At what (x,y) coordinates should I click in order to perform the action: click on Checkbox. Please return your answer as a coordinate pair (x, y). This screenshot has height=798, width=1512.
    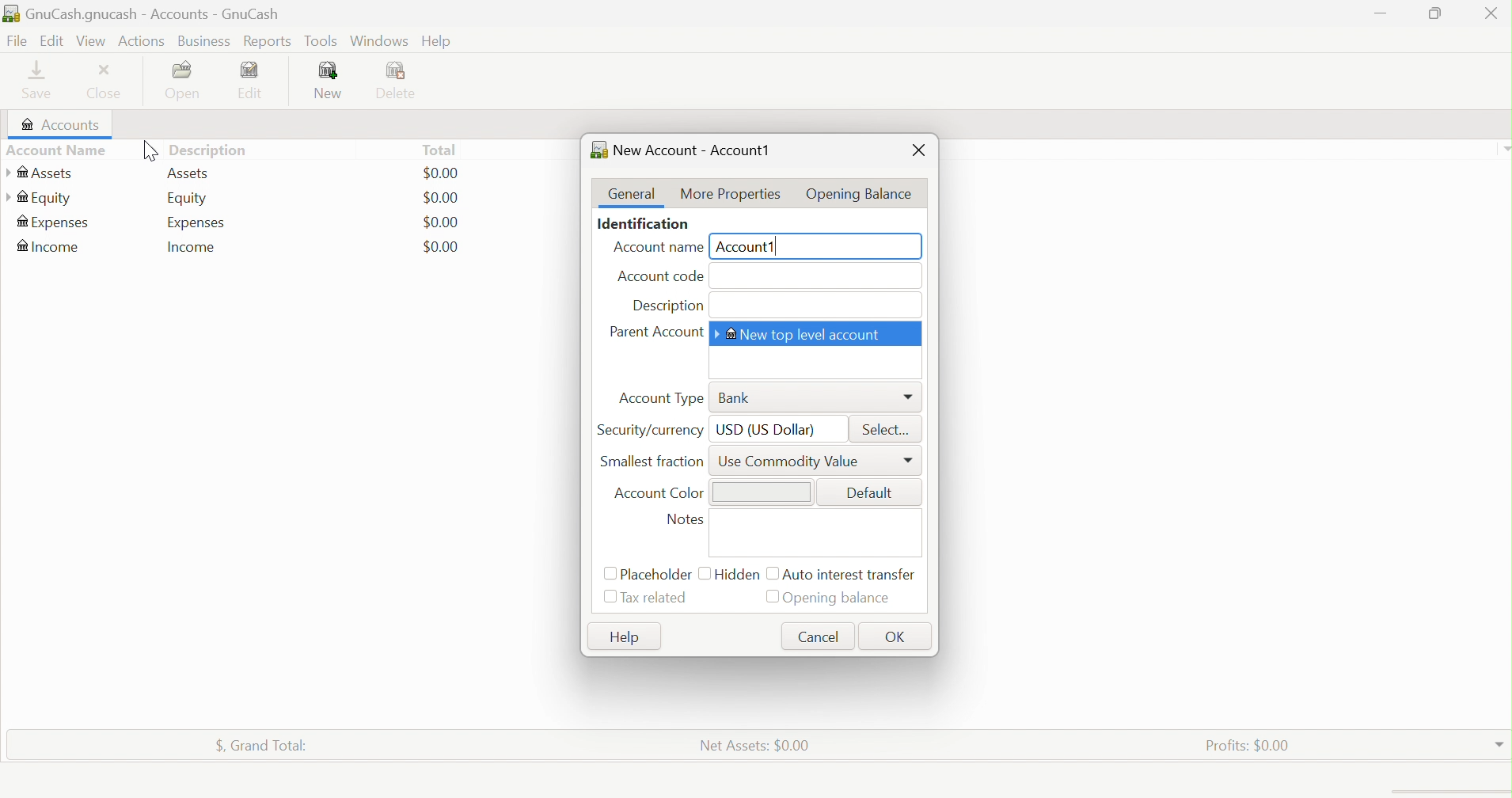
    Looking at the image, I should click on (608, 574).